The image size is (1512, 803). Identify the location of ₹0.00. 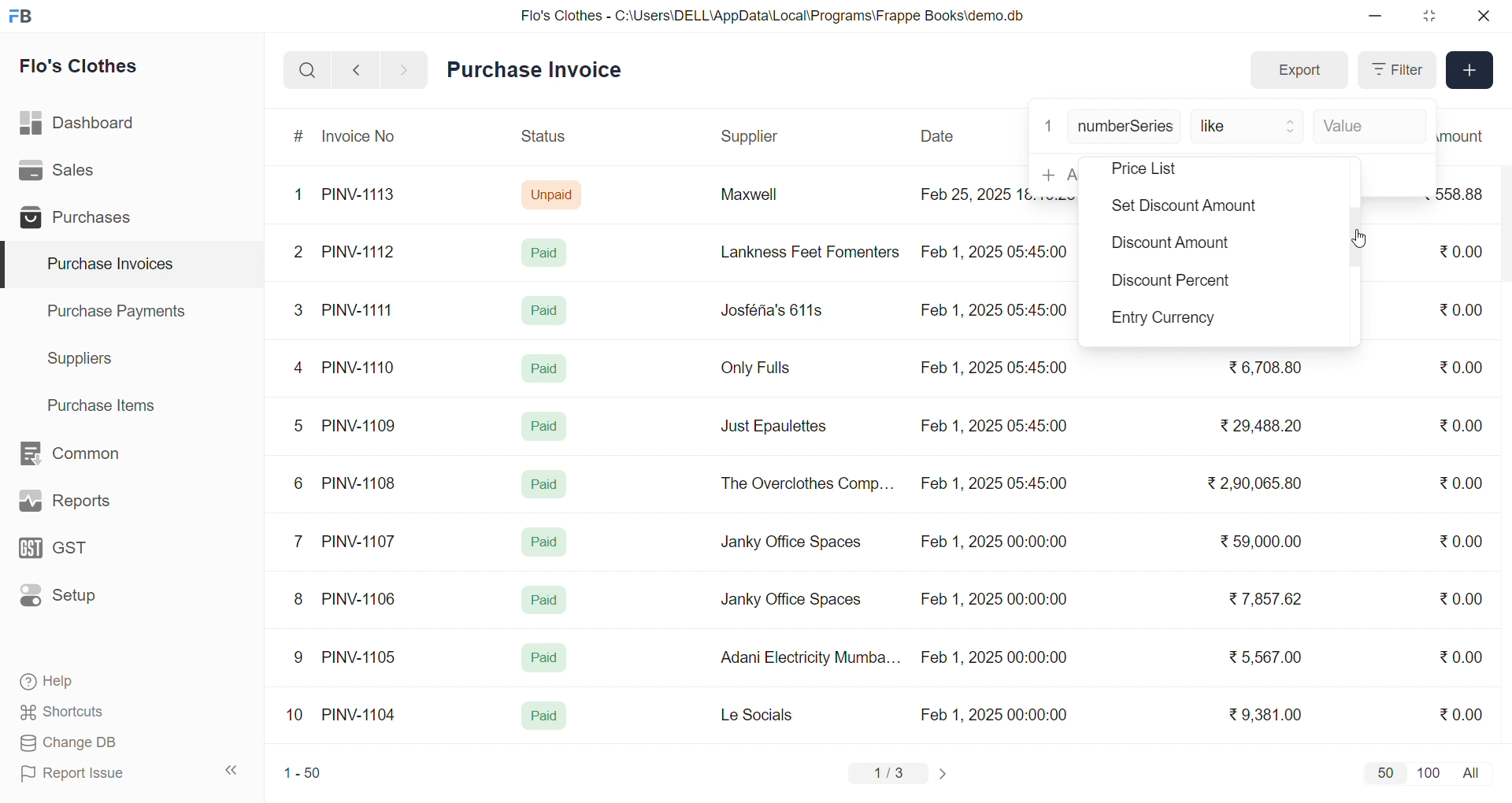
(1461, 598).